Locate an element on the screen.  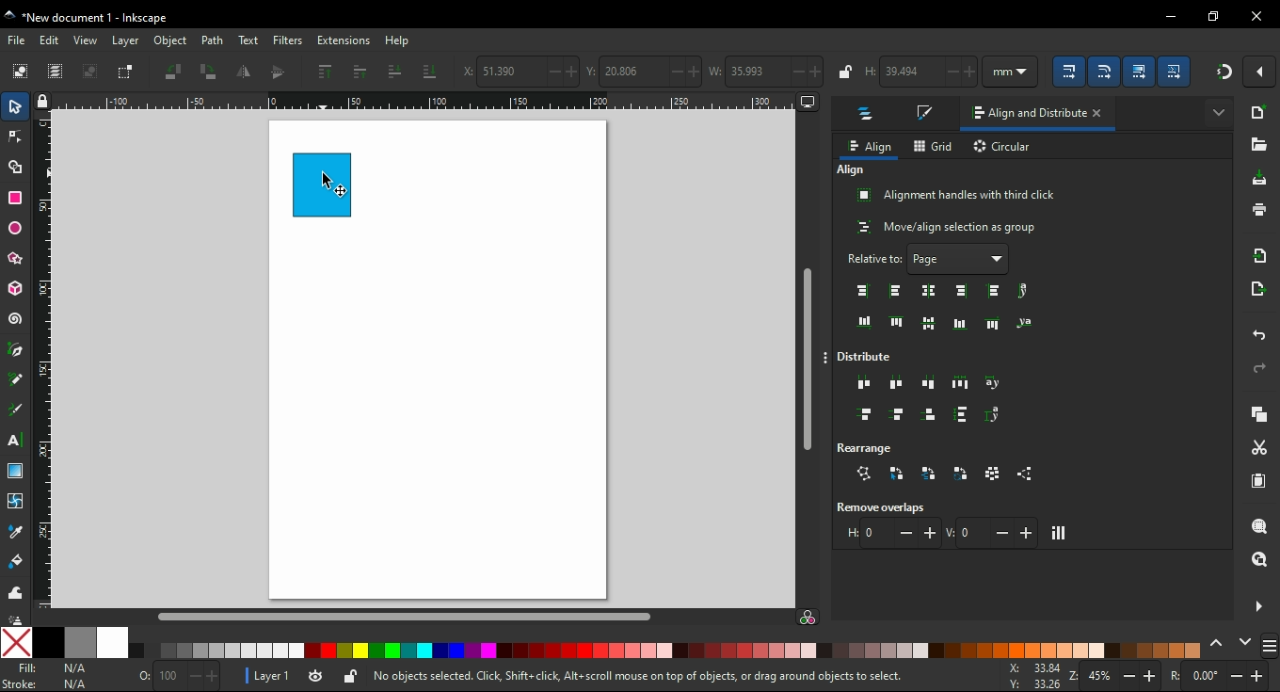
object flip vertical is located at coordinates (278, 73).